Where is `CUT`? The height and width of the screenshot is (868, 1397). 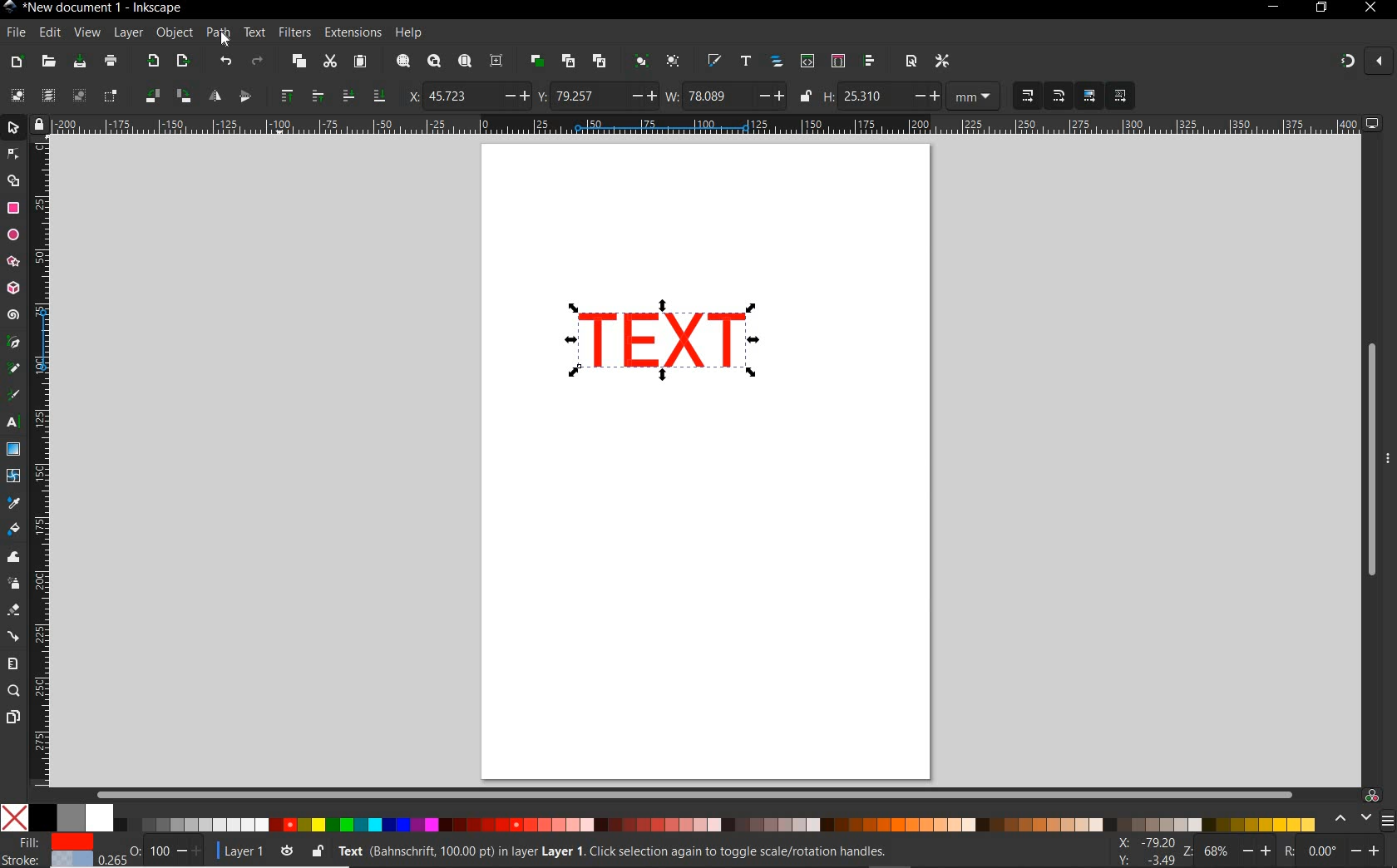 CUT is located at coordinates (329, 62).